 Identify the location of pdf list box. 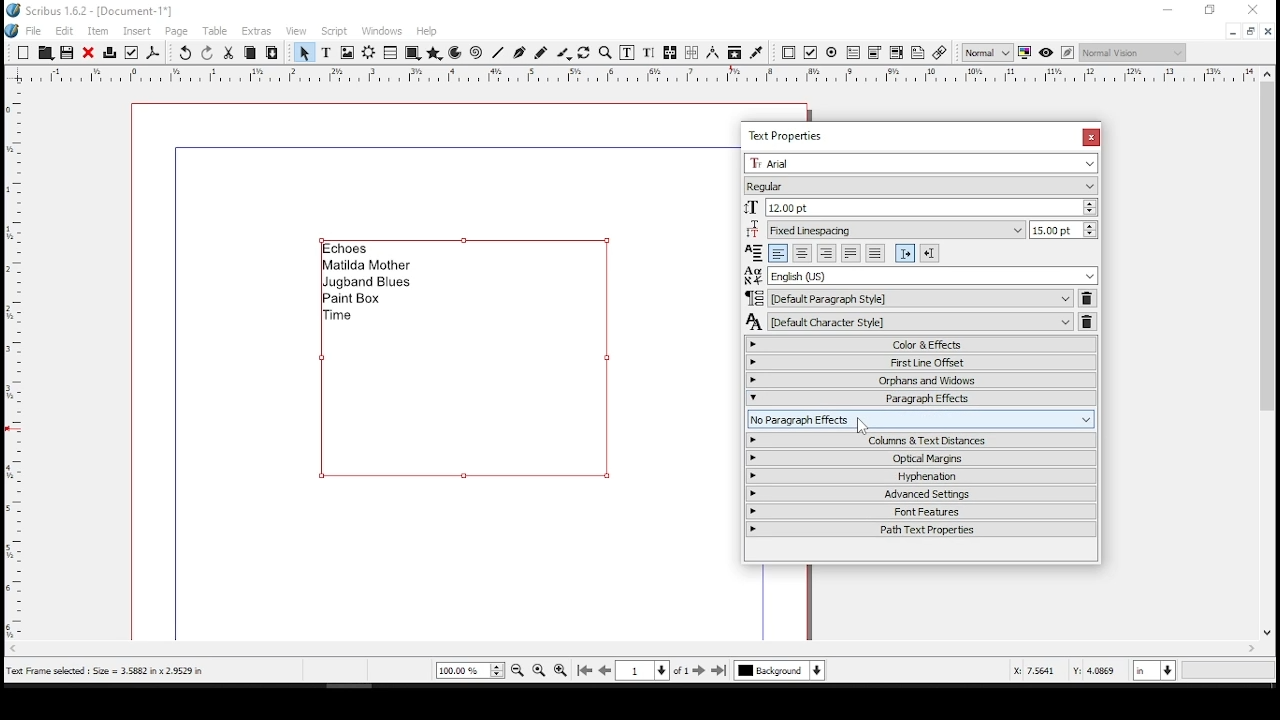
(896, 54).